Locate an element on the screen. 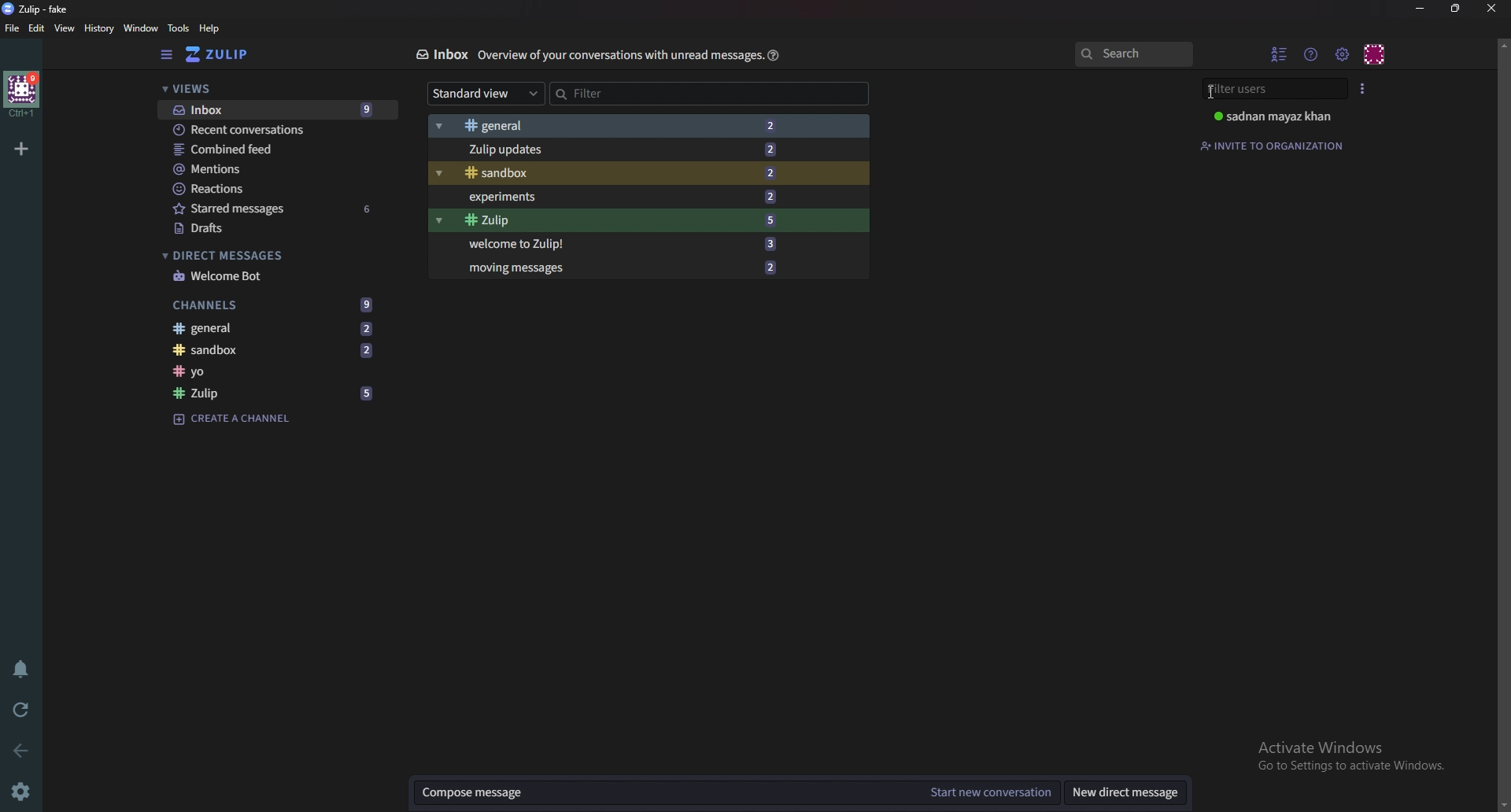  Zulip is located at coordinates (619, 220).